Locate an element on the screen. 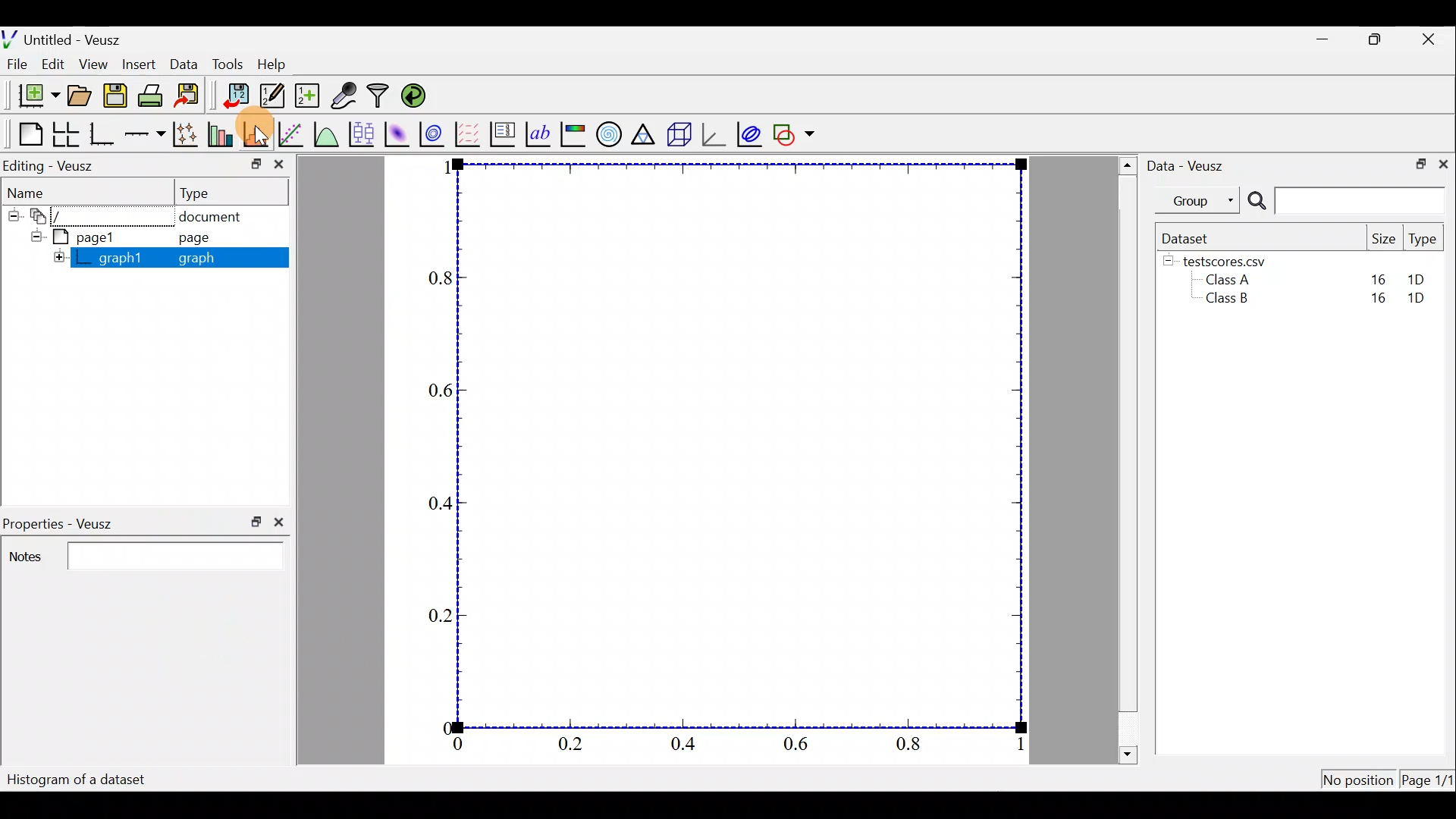  0.8 is located at coordinates (435, 278).